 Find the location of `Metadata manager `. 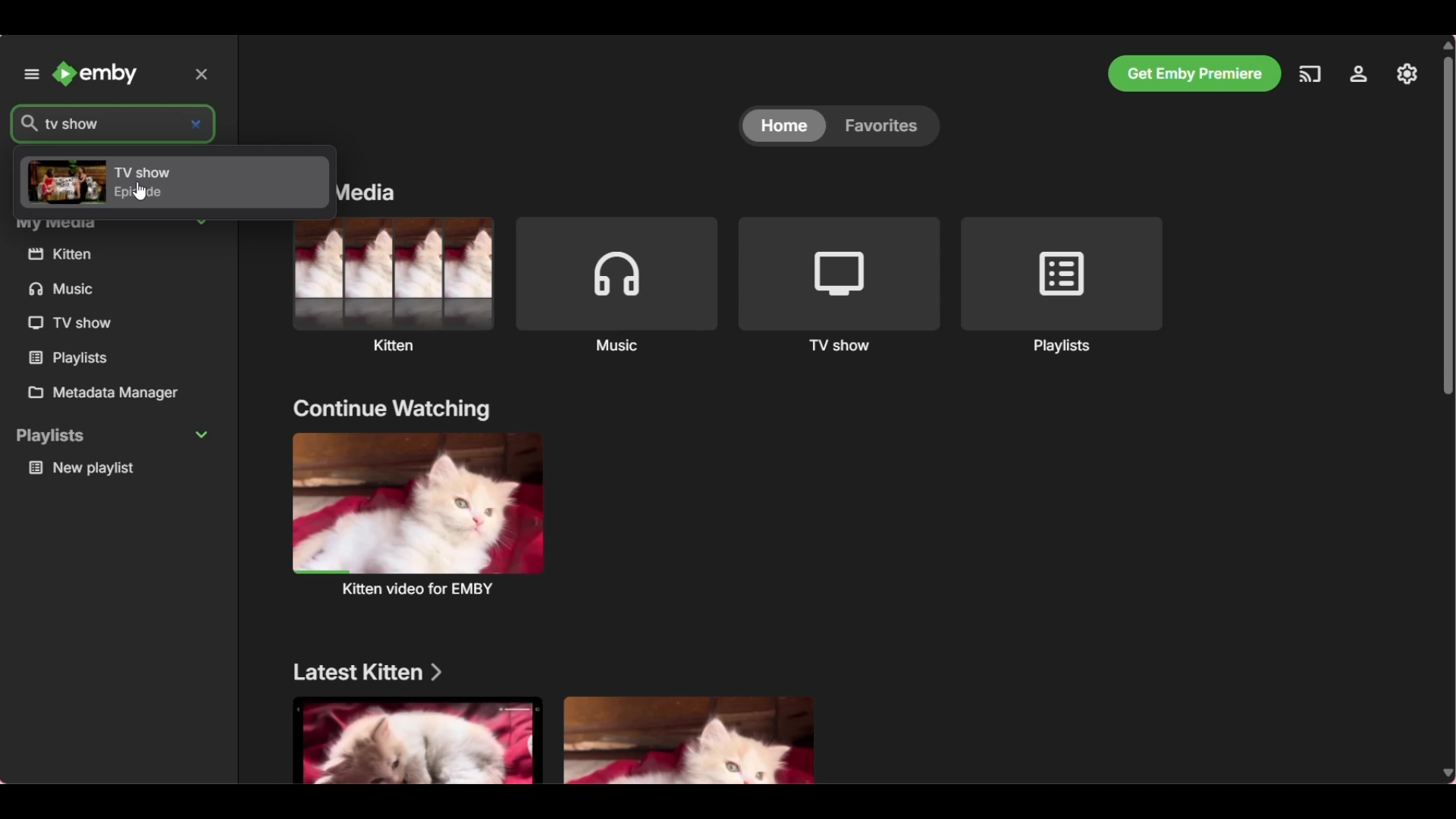

Metadata manager  is located at coordinates (117, 393).